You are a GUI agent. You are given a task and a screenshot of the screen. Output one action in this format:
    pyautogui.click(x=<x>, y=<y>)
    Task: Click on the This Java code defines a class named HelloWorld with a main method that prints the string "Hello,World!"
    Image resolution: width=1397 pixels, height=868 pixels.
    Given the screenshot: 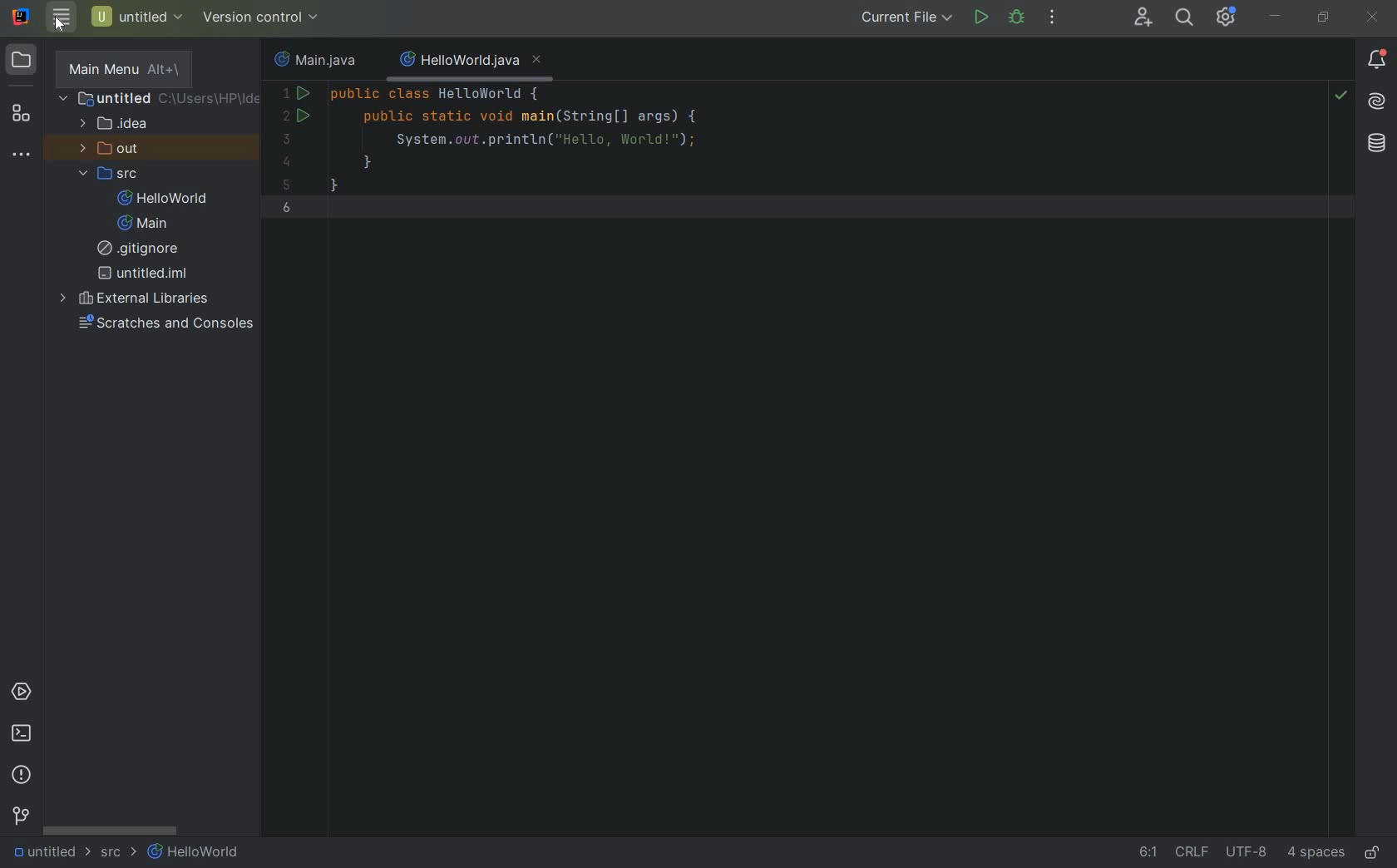 What is the action you would take?
    pyautogui.click(x=756, y=163)
    